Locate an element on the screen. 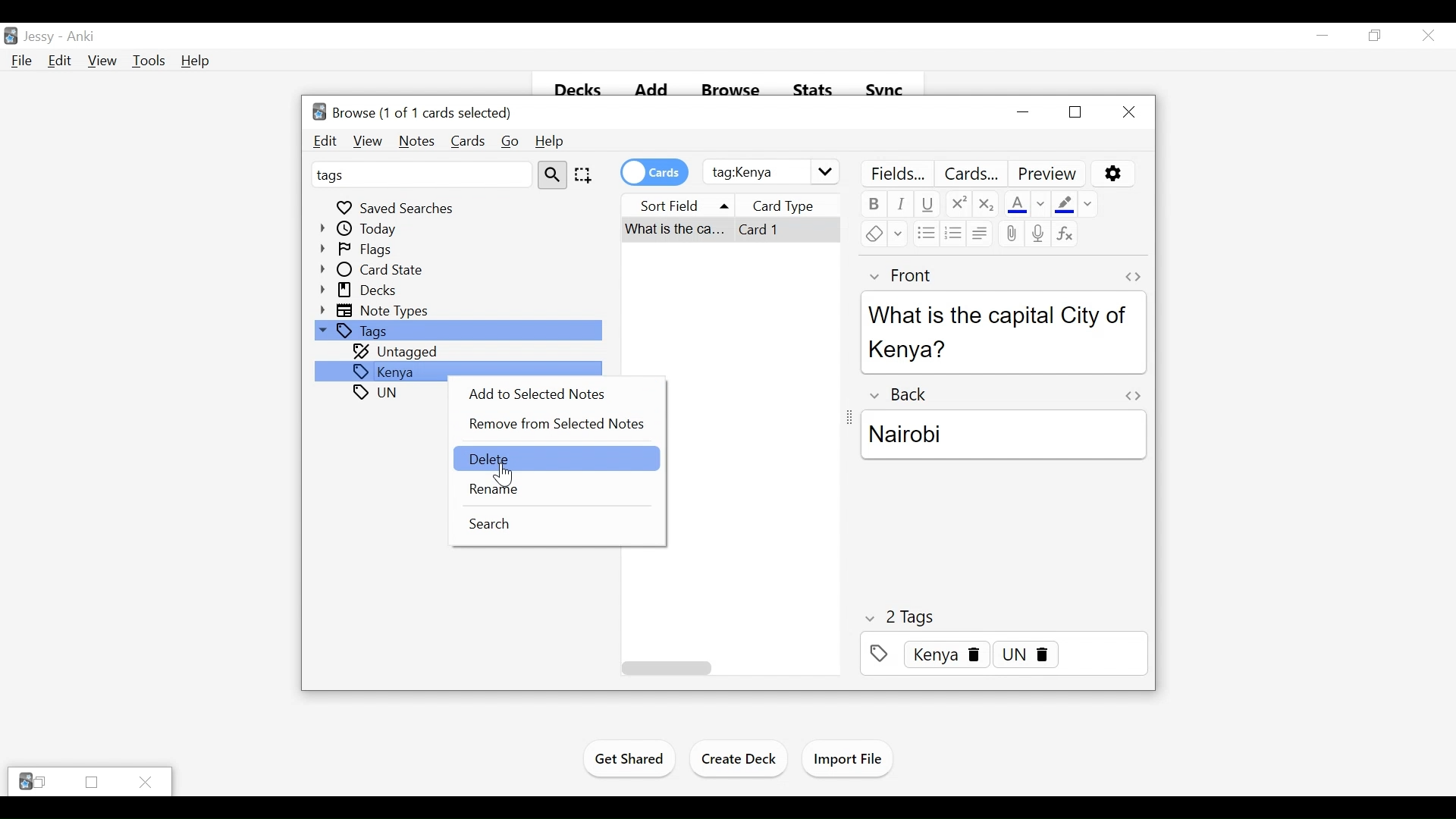  Help is located at coordinates (196, 61).